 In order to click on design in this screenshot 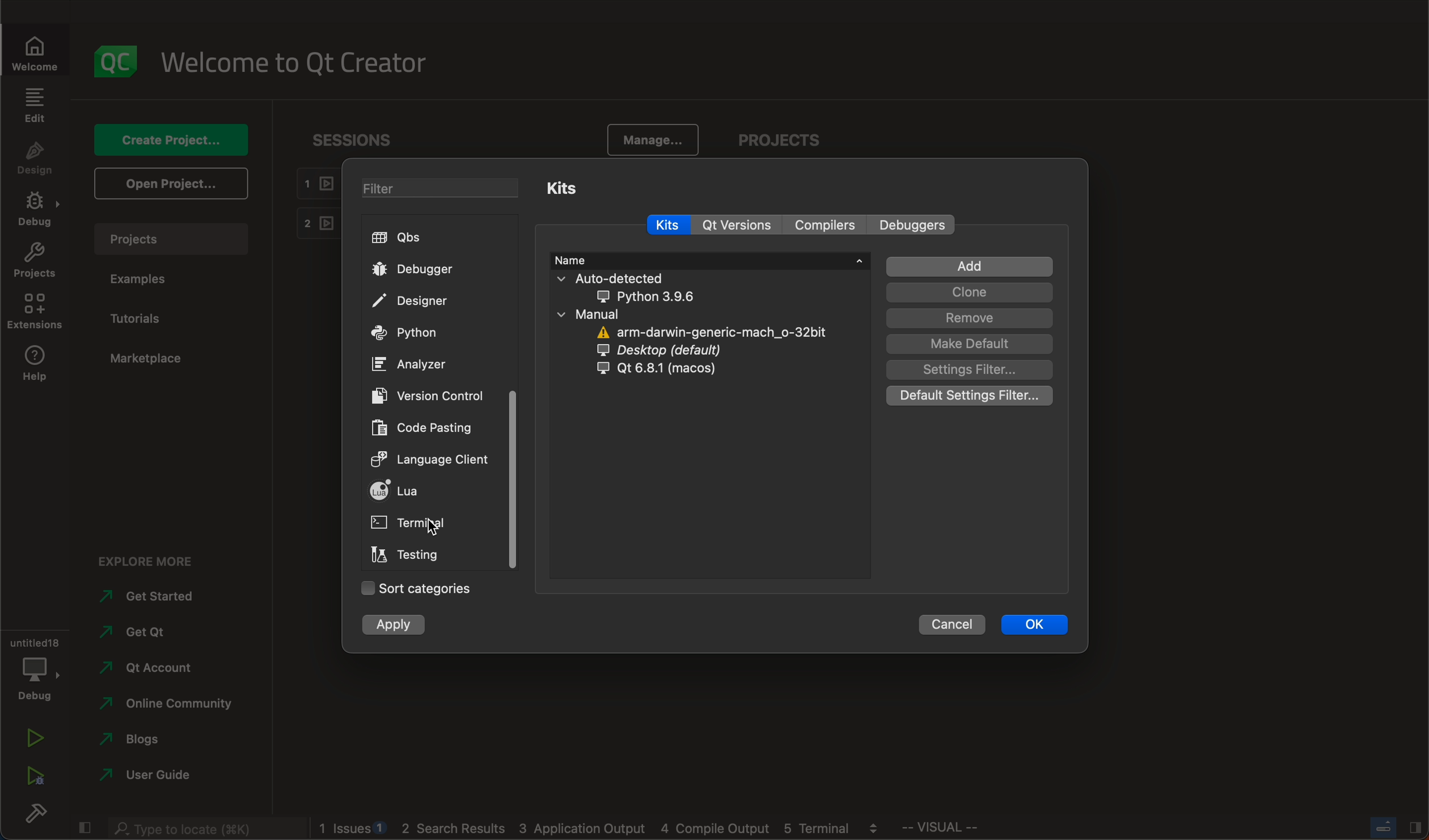, I will do `click(38, 158)`.